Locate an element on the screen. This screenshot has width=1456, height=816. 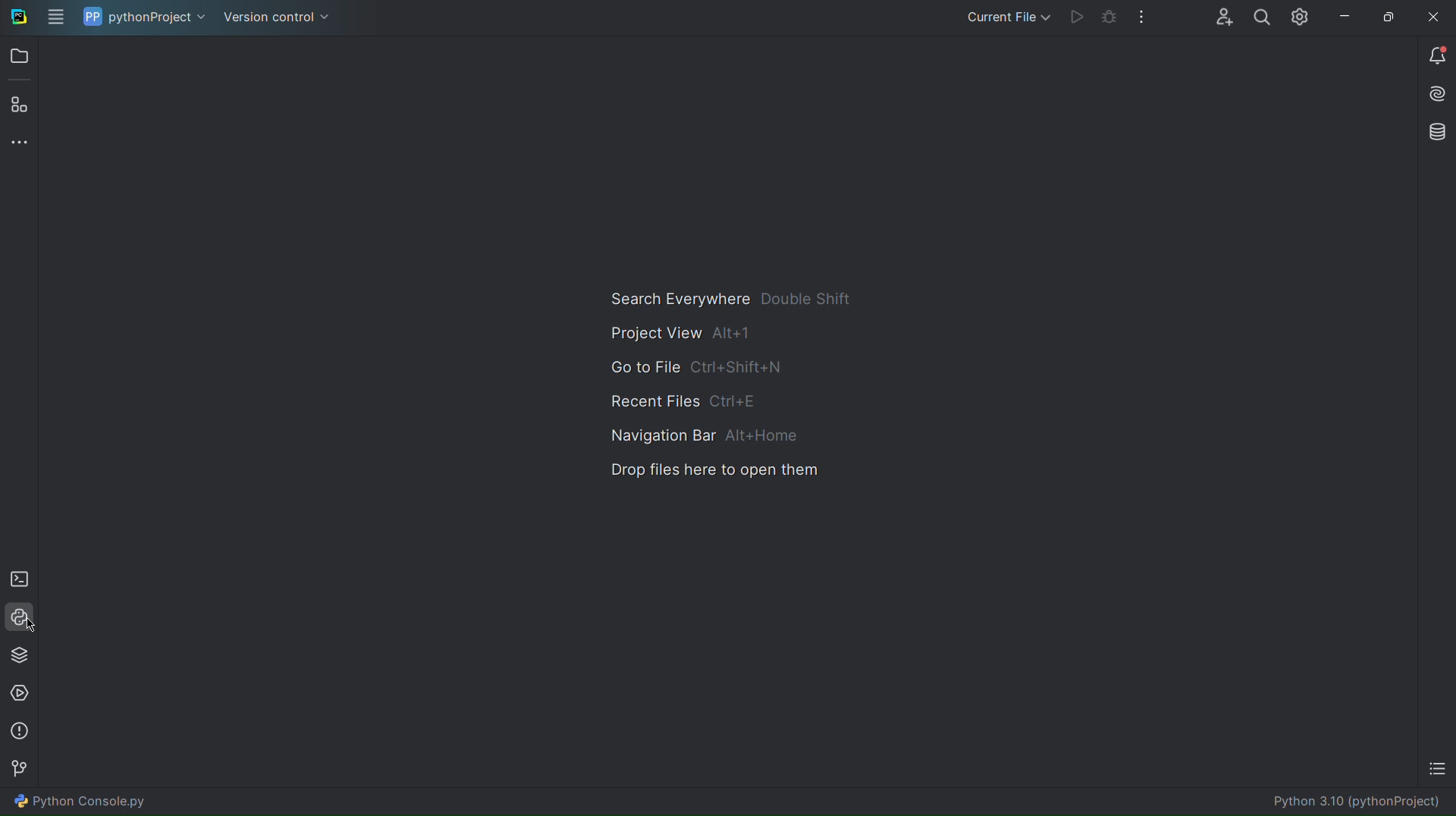
More is located at coordinates (22, 148).